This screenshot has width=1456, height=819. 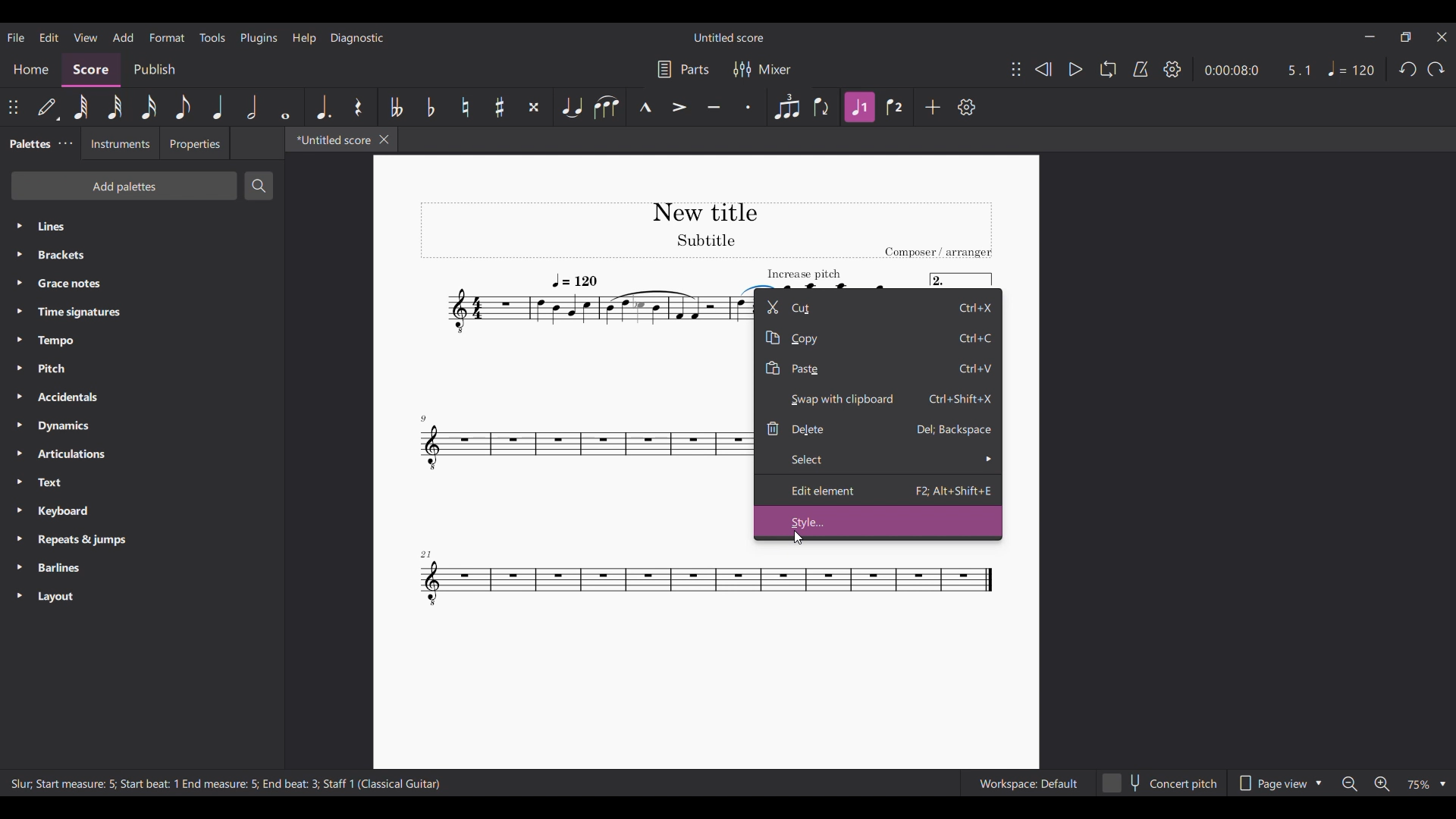 What do you see at coordinates (894, 107) in the screenshot?
I see `Voice 2` at bounding box center [894, 107].